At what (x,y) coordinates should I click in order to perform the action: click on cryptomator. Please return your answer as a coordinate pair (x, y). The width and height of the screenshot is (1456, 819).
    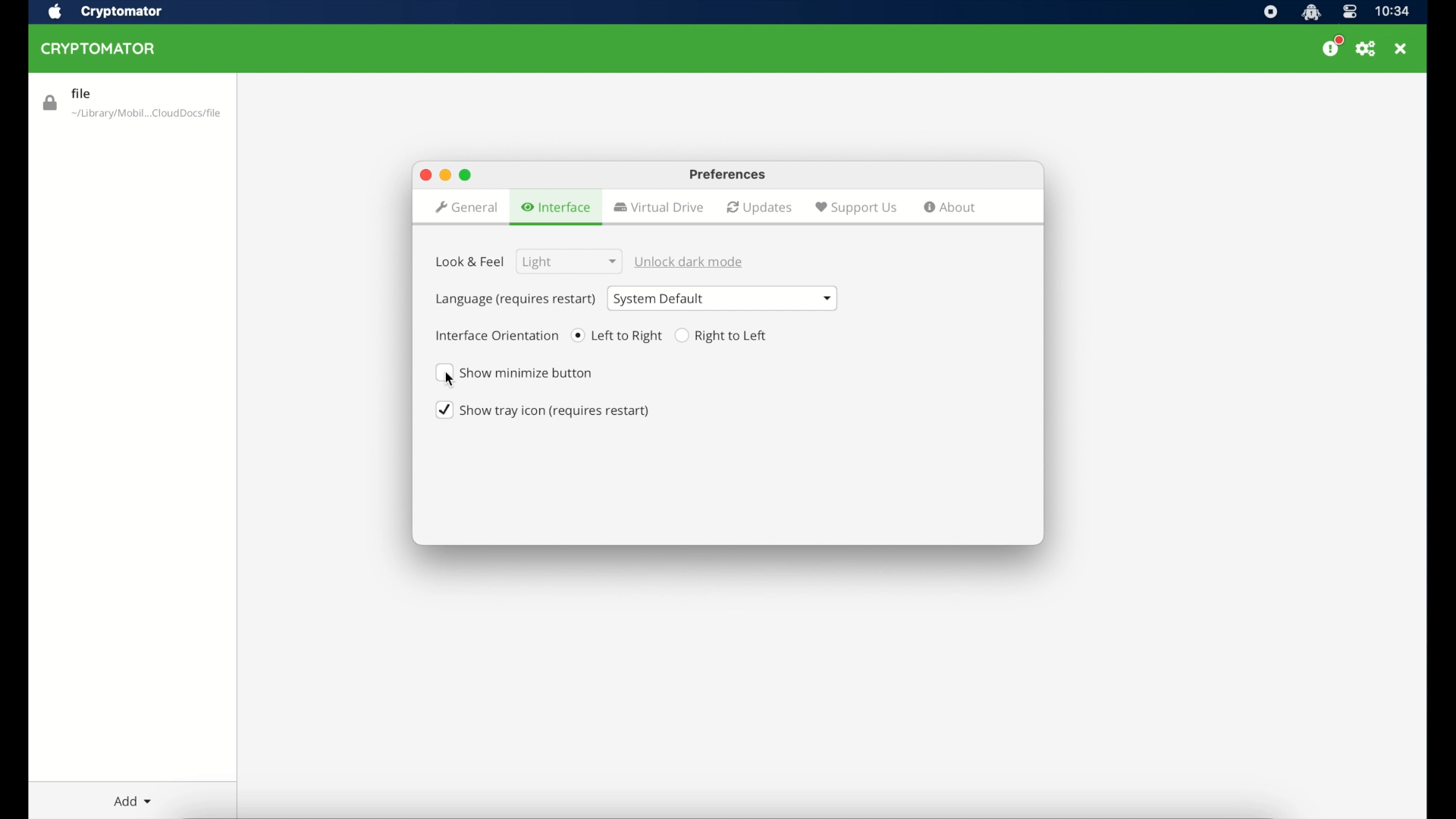
    Looking at the image, I should click on (122, 11).